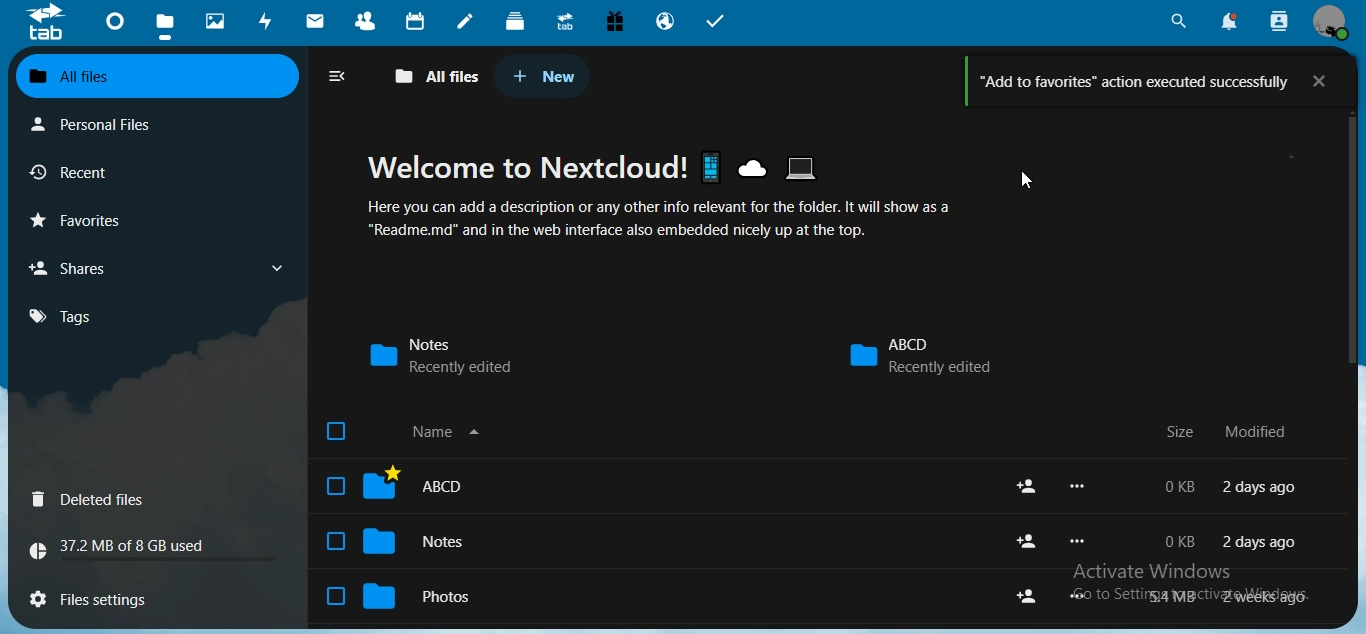 Image resolution: width=1366 pixels, height=634 pixels. I want to click on favourites, so click(79, 218).